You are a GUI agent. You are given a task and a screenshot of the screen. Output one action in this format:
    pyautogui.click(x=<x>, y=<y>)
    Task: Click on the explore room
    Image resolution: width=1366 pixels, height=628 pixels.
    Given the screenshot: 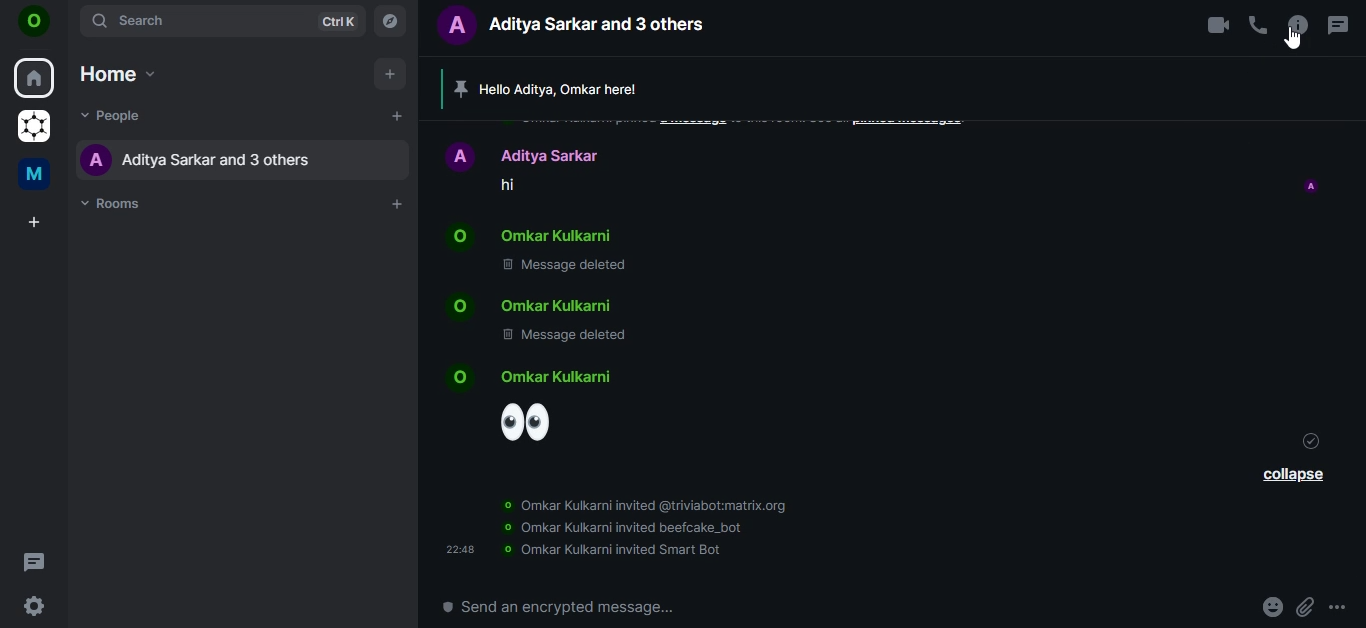 What is the action you would take?
    pyautogui.click(x=393, y=20)
    